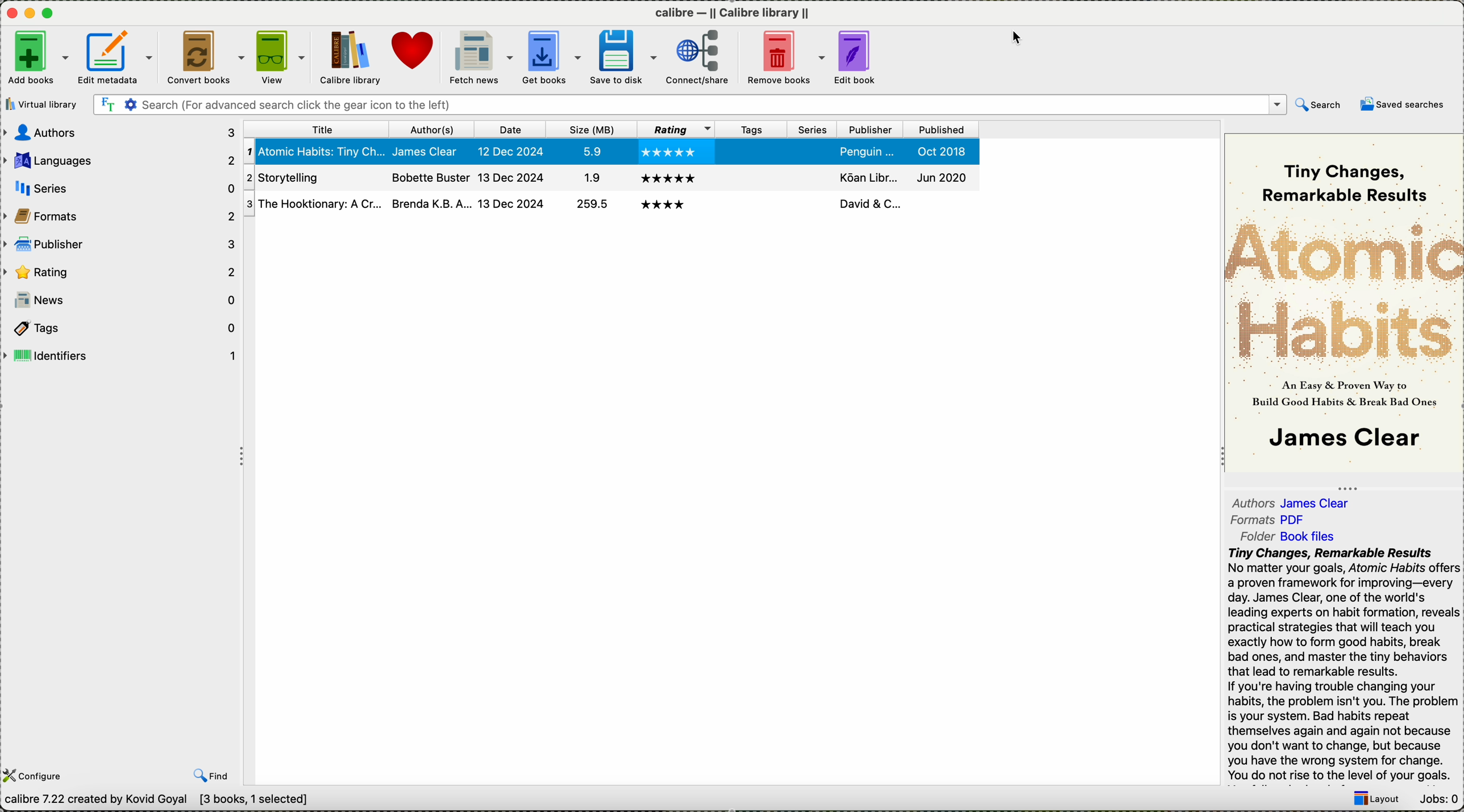 This screenshot has height=812, width=1464. Describe the element at coordinates (939, 129) in the screenshot. I see `published` at that location.